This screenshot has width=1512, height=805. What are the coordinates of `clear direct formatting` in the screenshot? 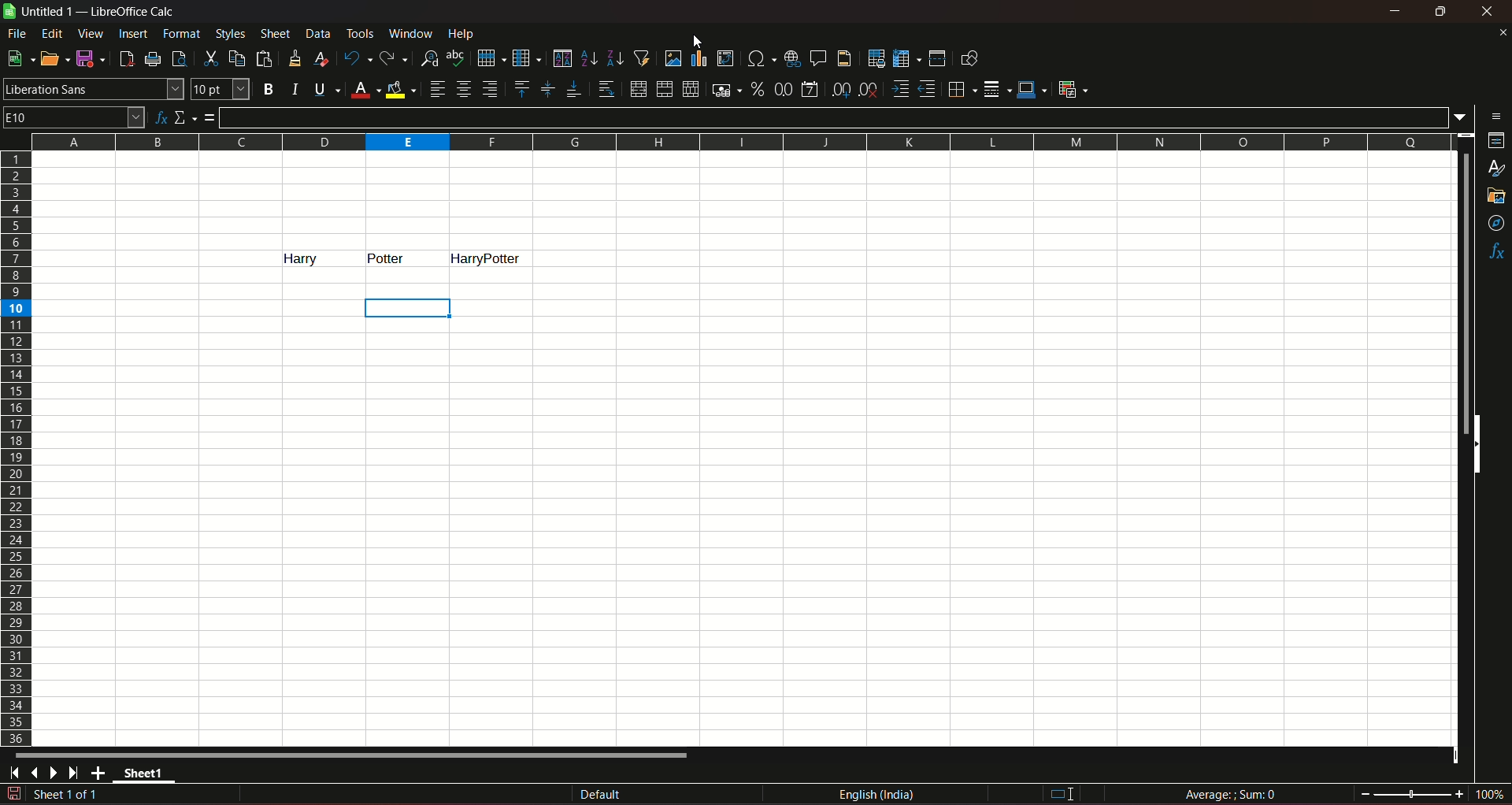 It's located at (324, 58).